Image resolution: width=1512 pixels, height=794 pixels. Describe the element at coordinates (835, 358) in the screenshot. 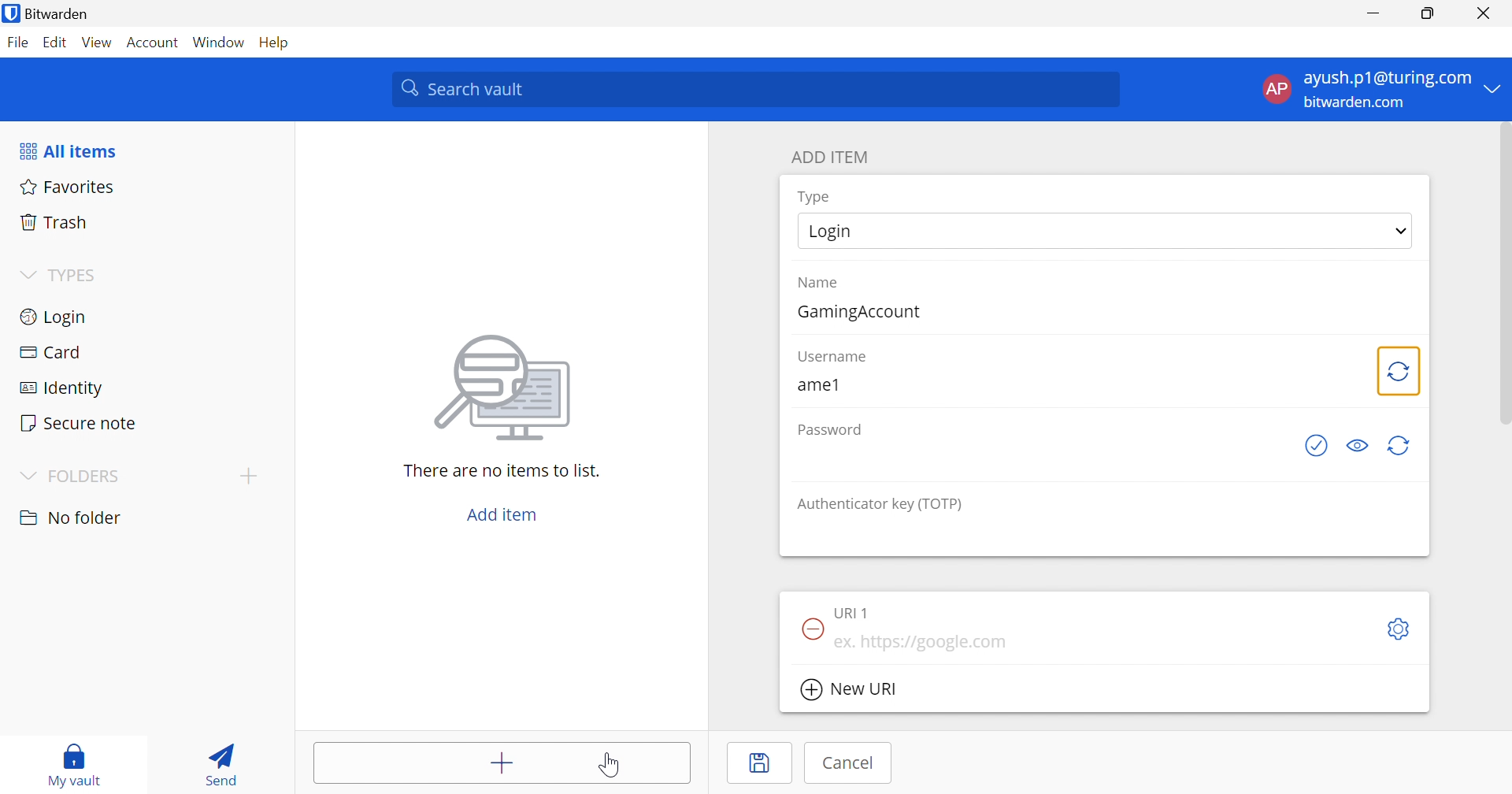

I see `Username` at that location.